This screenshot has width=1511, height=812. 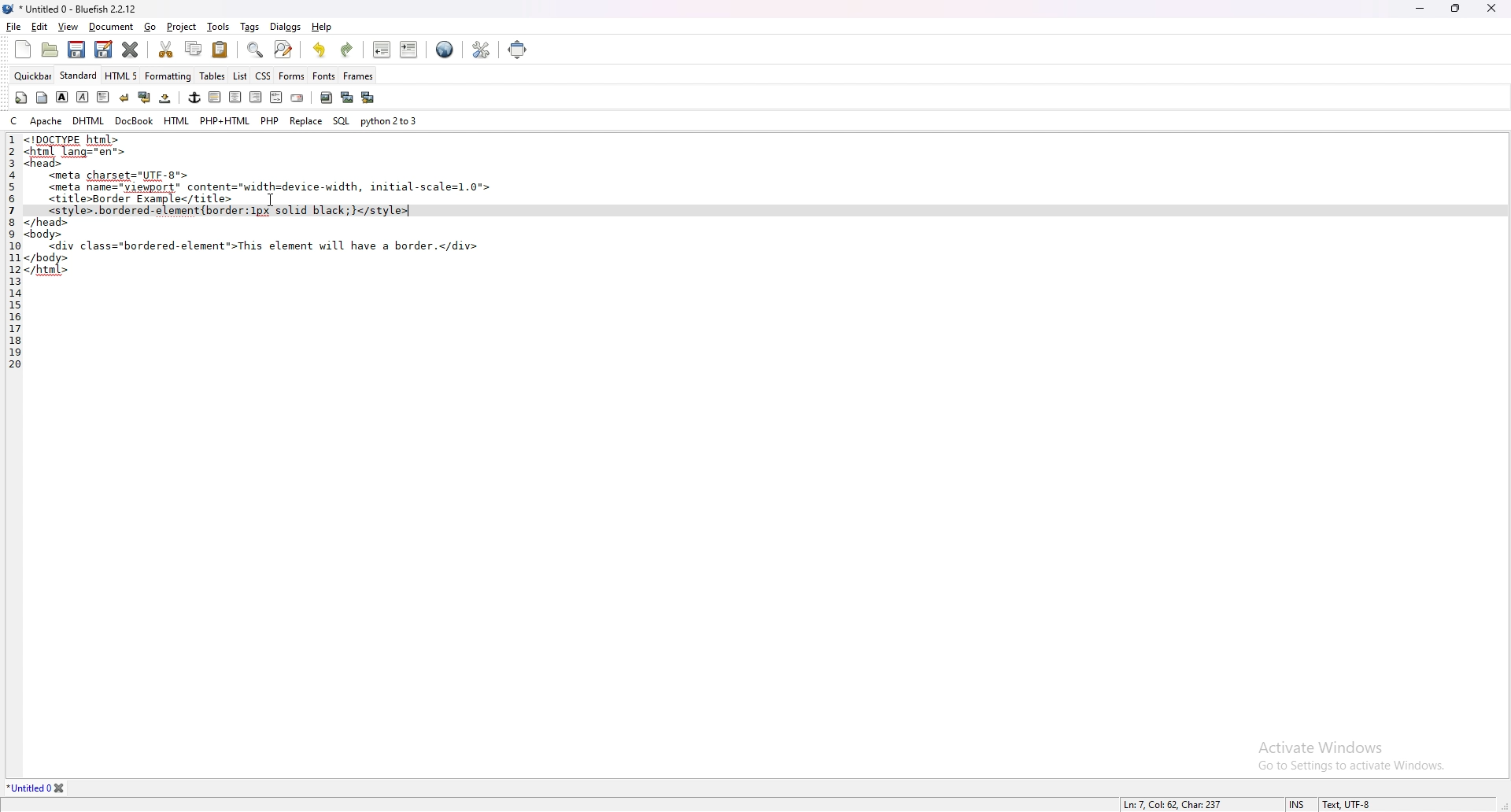 What do you see at coordinates (390, 120) in the screenshot?
I see `python 2 to 3` at bounding box center [390, 120].